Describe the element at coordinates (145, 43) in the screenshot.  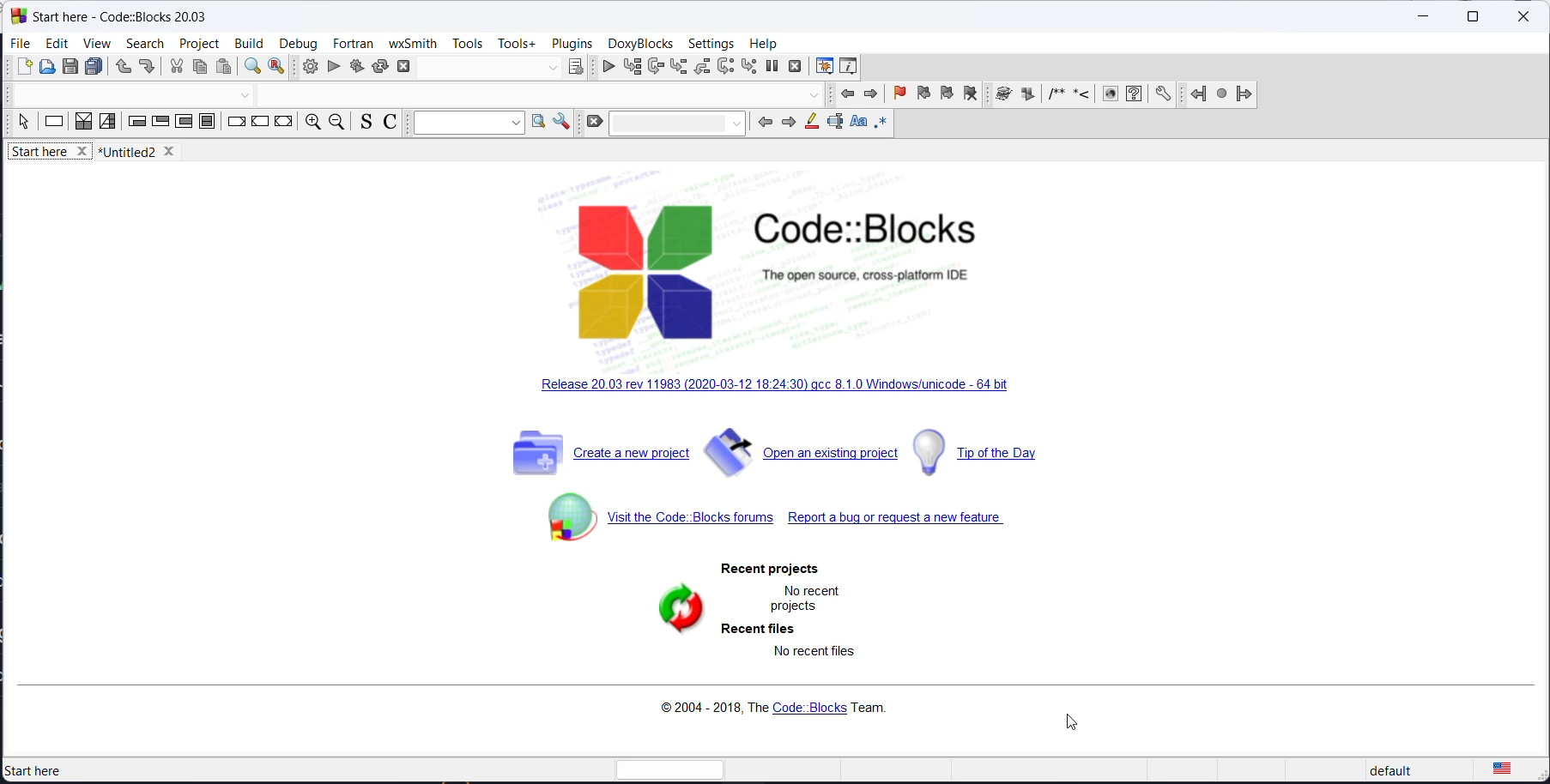
I see `search` at that location.